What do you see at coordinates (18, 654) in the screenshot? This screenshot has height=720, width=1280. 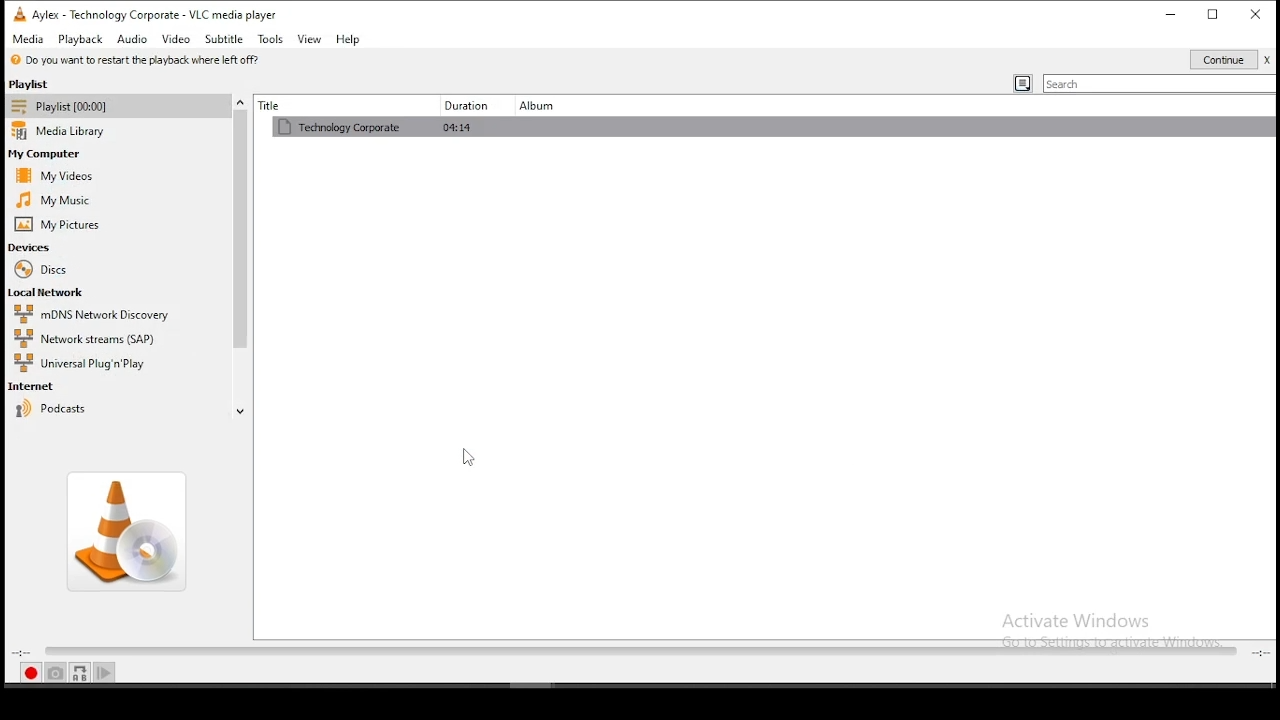 I see `elapsed time` at bounding box center [18, 654].